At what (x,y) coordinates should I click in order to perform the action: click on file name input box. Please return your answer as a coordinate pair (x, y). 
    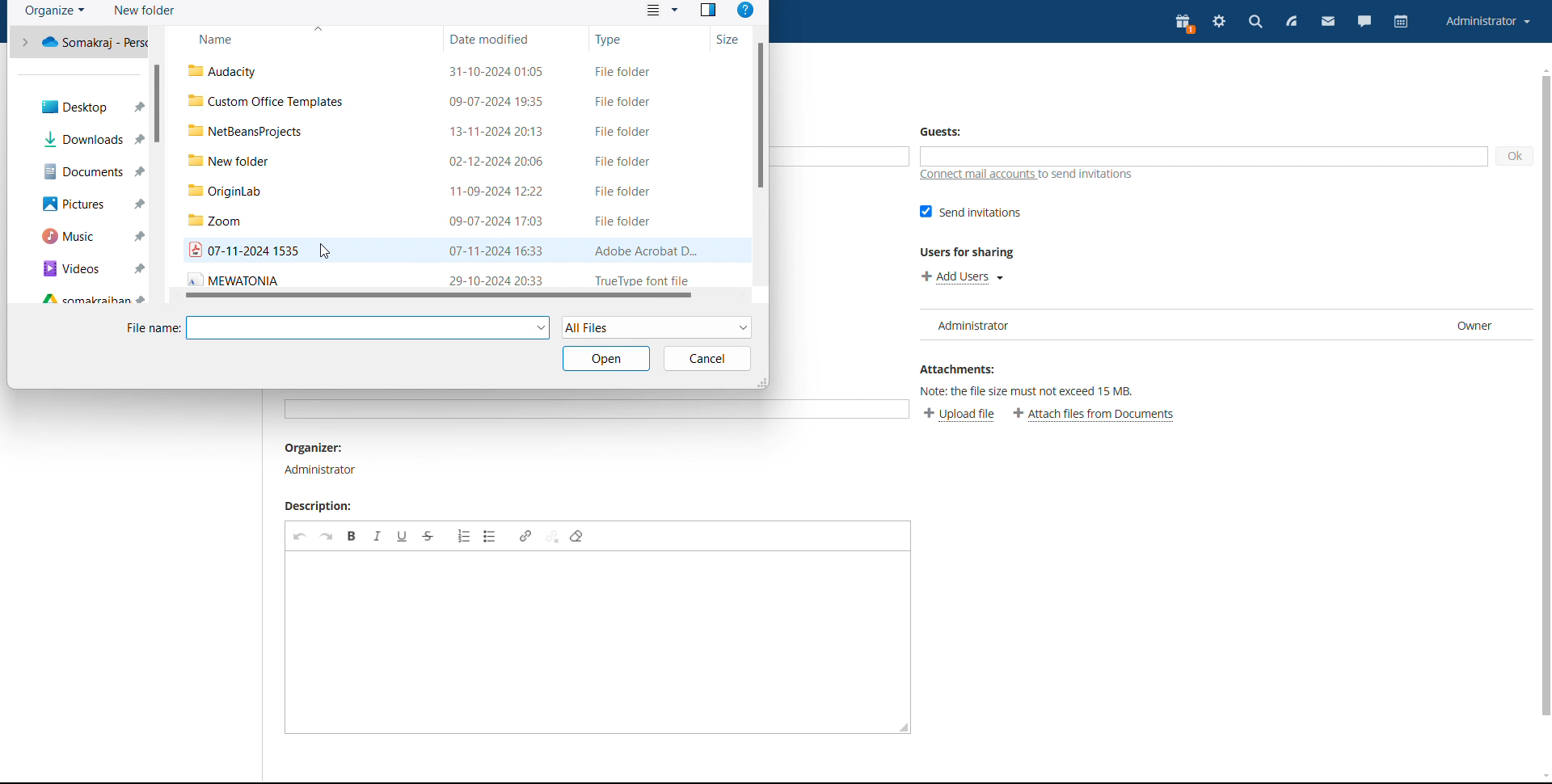
    Looking at the image, I should click on (371, 330).